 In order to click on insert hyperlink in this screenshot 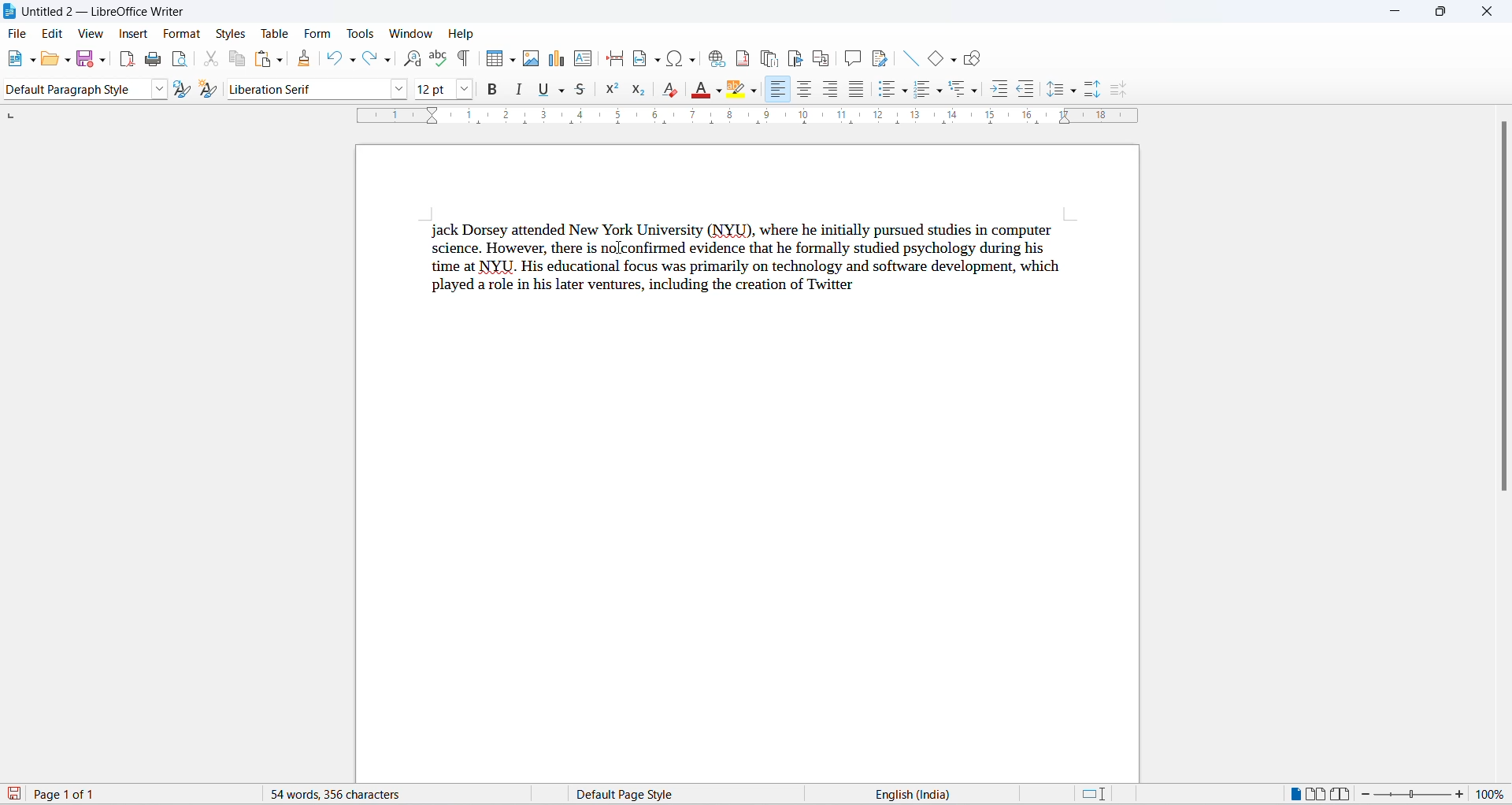, I will do `click(713, 59)`.